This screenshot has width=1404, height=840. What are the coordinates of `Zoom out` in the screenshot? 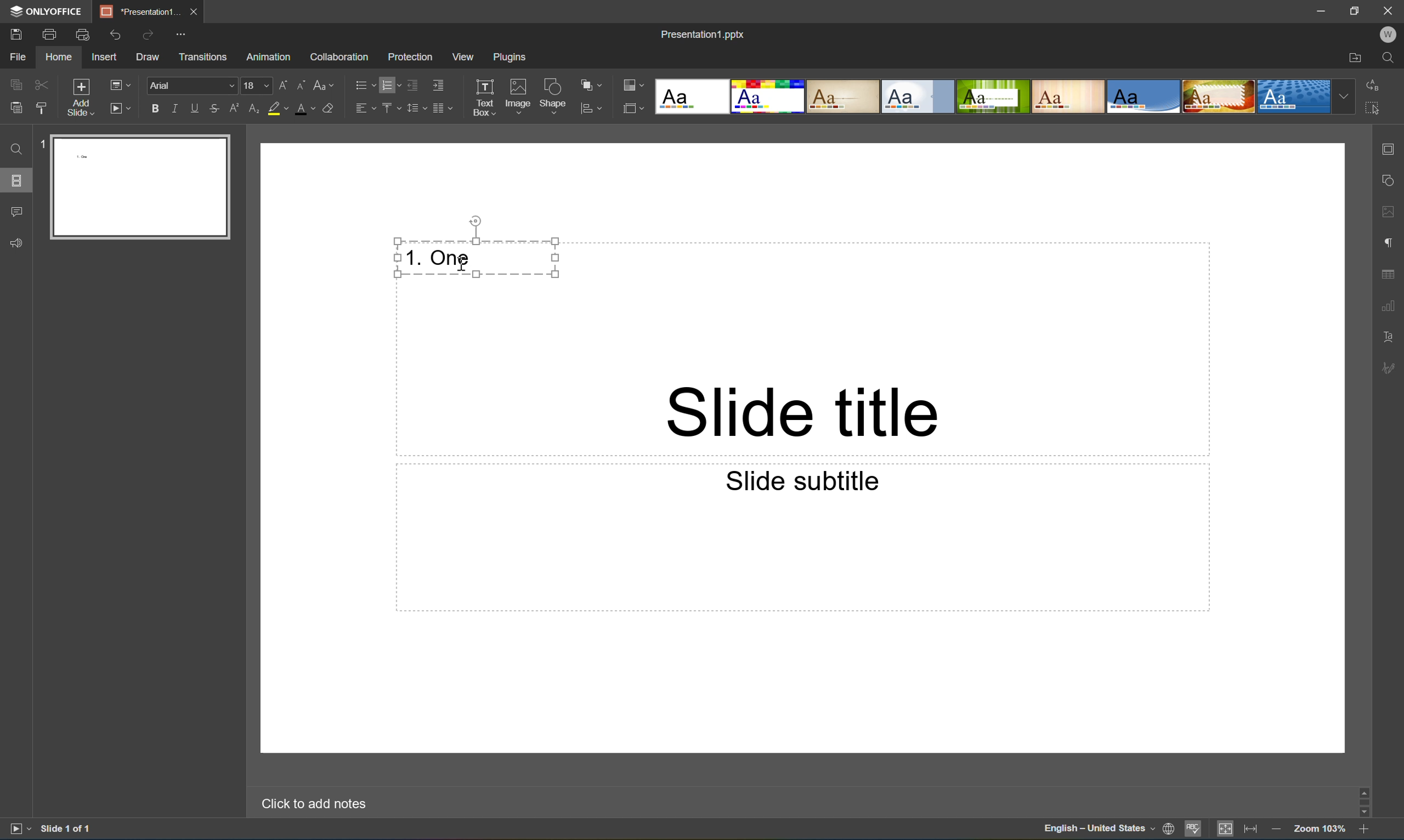 It's located at (1277, 832).